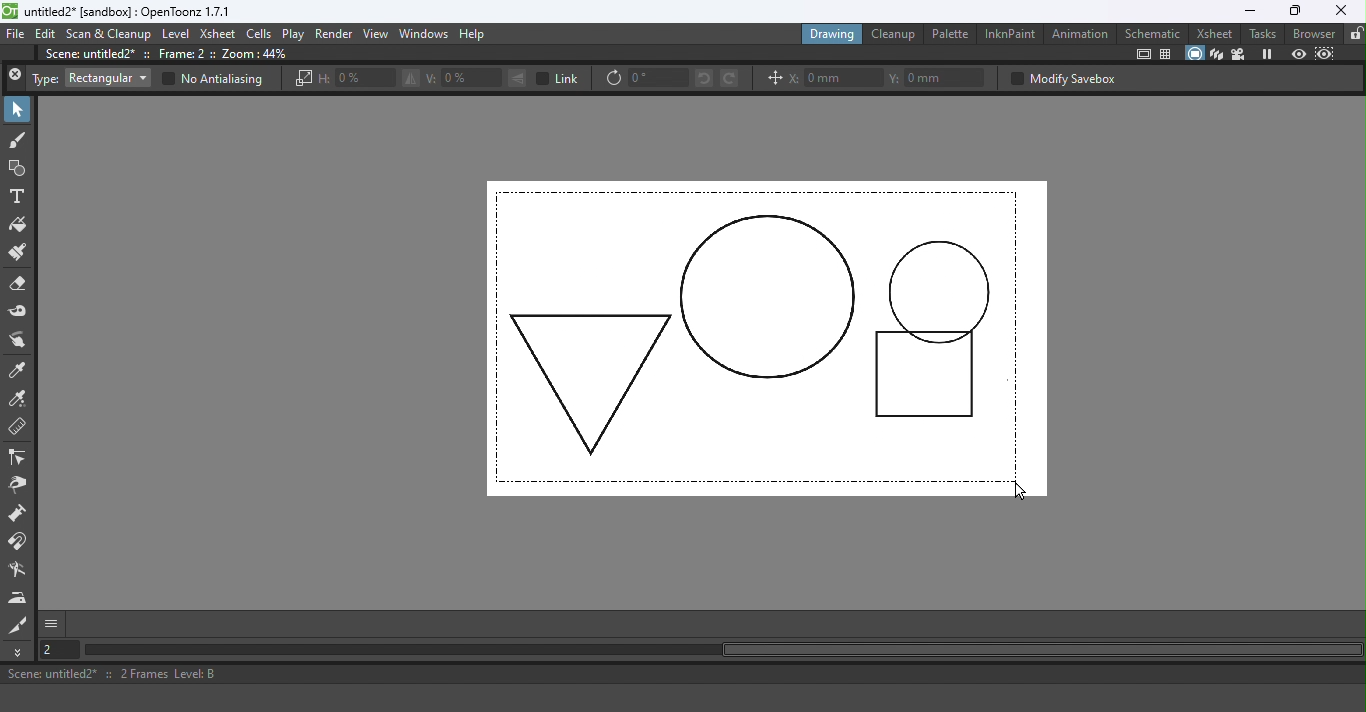 The height and width of the screenshot is (712, 1366). I want to click on Flip selection horizontally, so click(409, 79).